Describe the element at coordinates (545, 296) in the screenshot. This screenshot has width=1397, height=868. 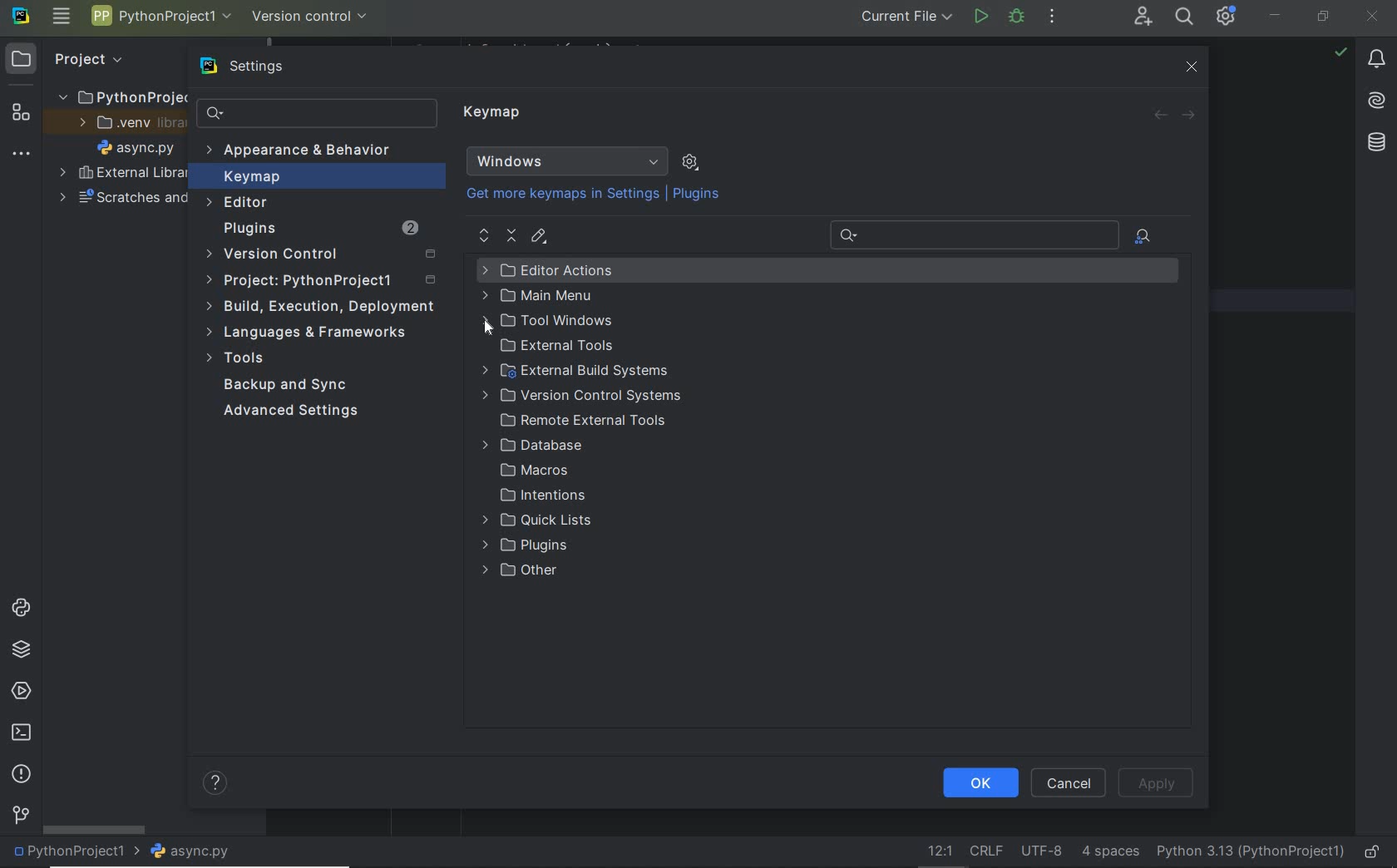
I see `Main Menu` at that location.